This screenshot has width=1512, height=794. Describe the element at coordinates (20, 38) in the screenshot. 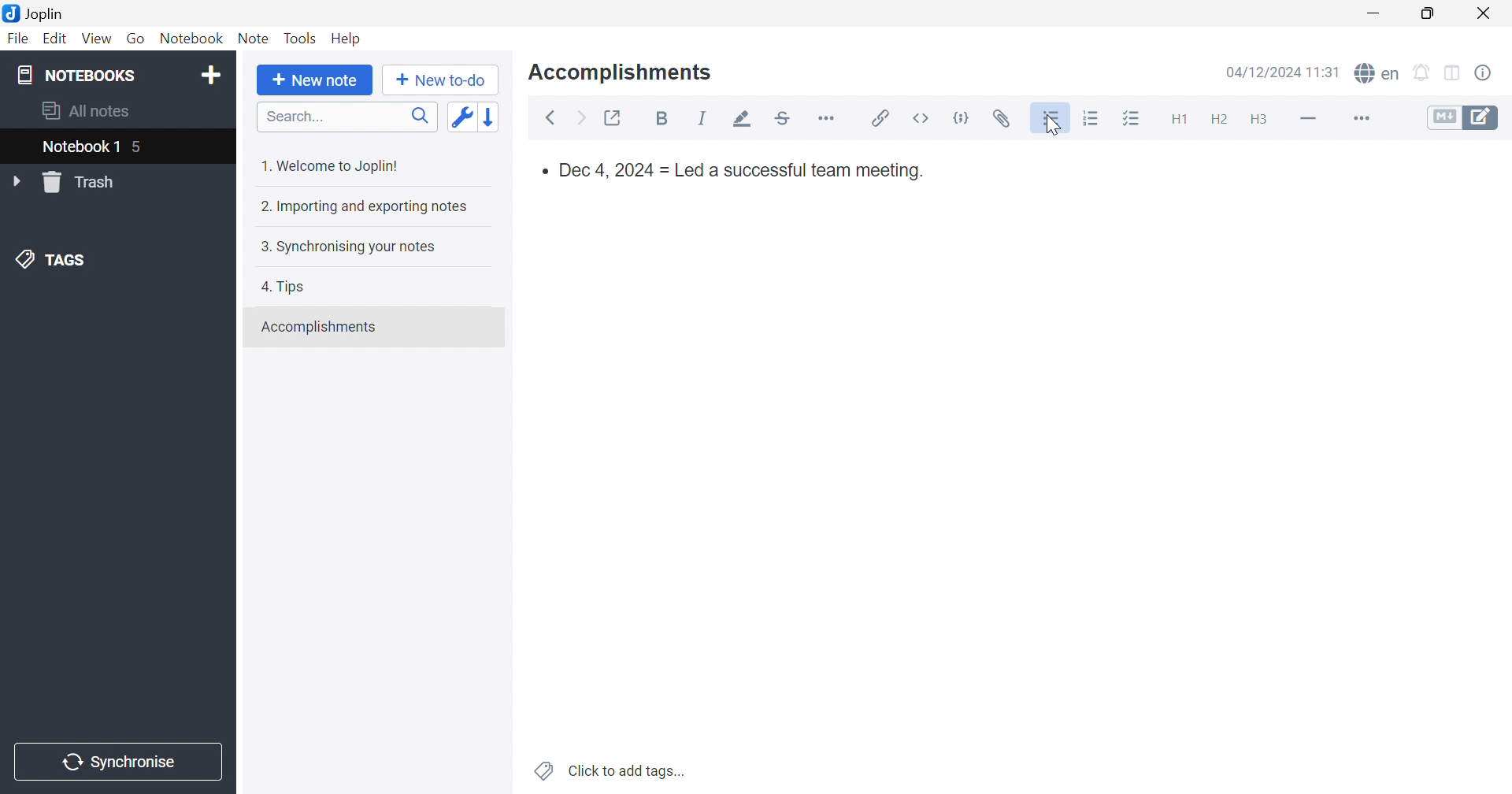

I see `File` at that location.